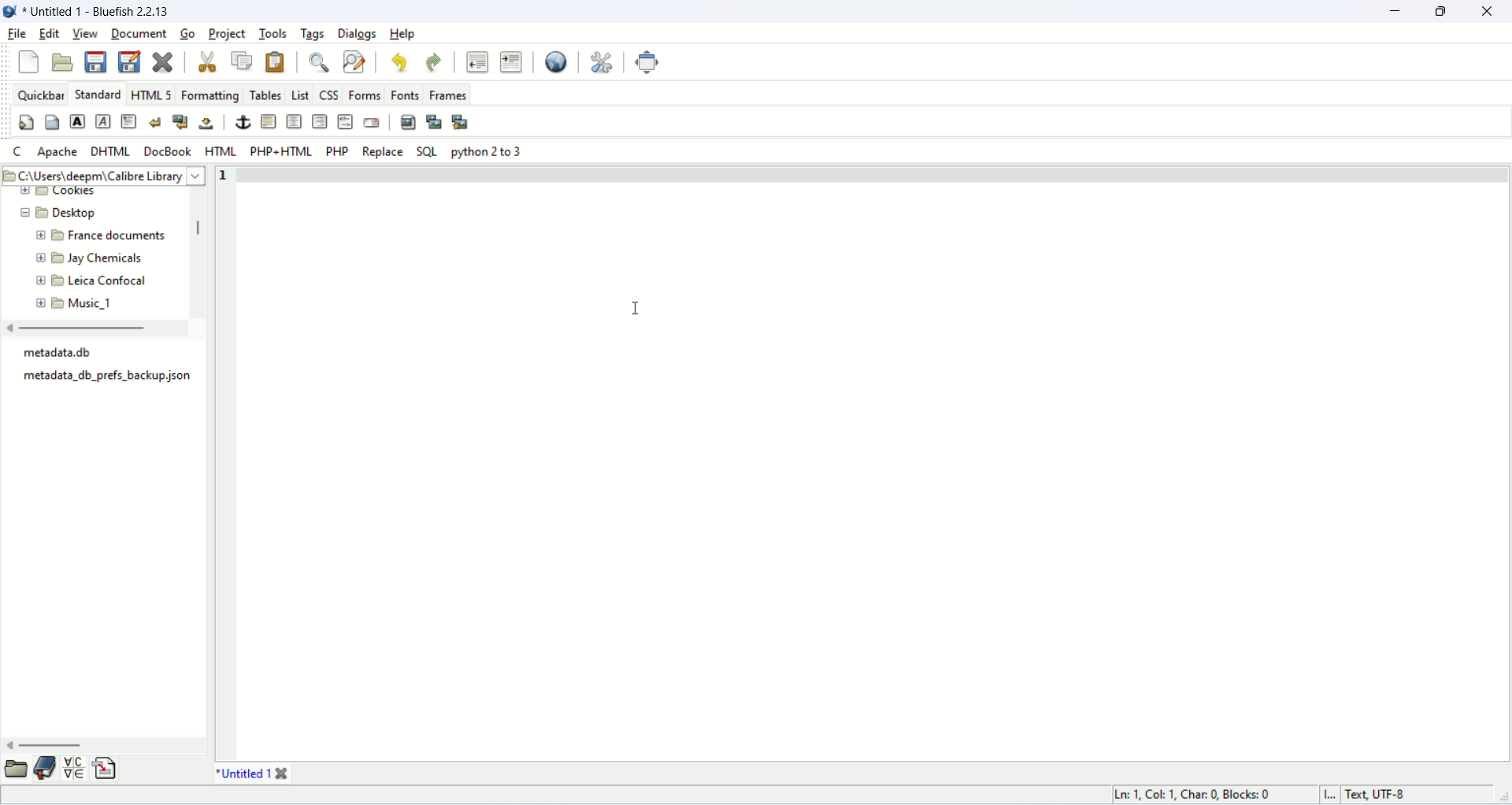 The width and height of the screenshot is (1512, 805). I want to click on bookmarks, so click(46, 770).